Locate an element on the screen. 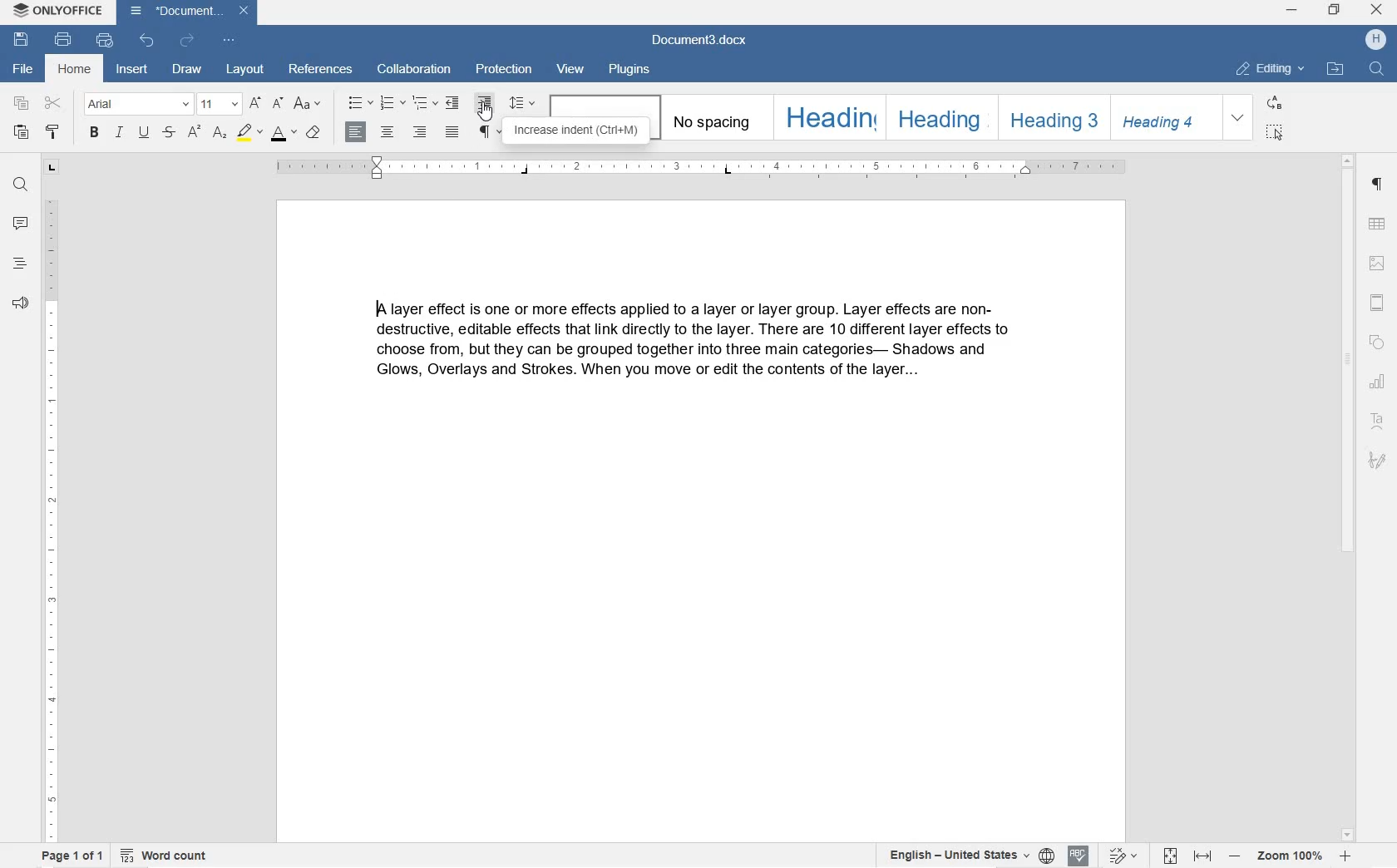 This screenshot has width=1397, height=868. CLEAR STYLE is located at coordinates (313, 133).